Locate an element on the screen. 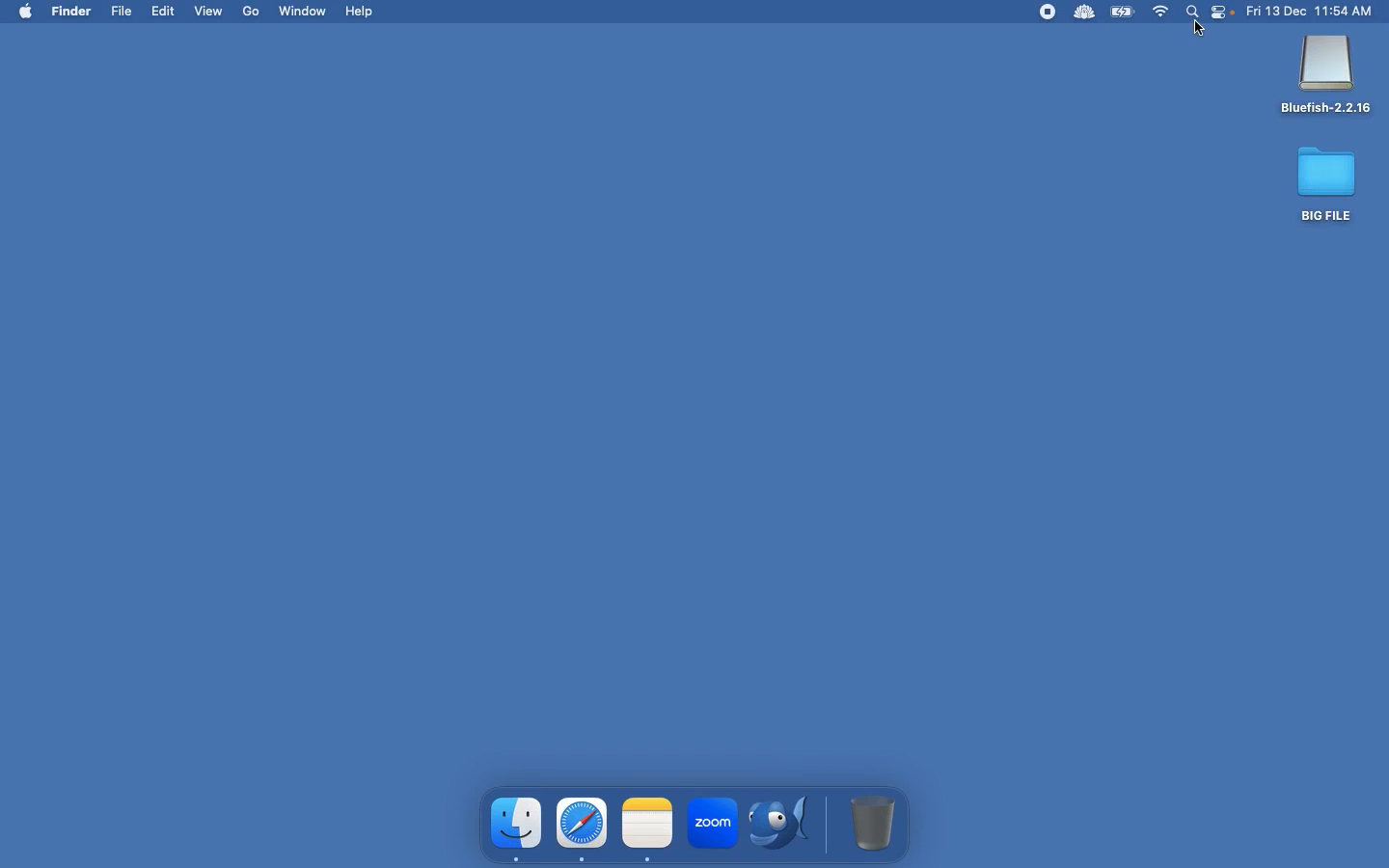  Finder  is located at coordinates (72, 12).